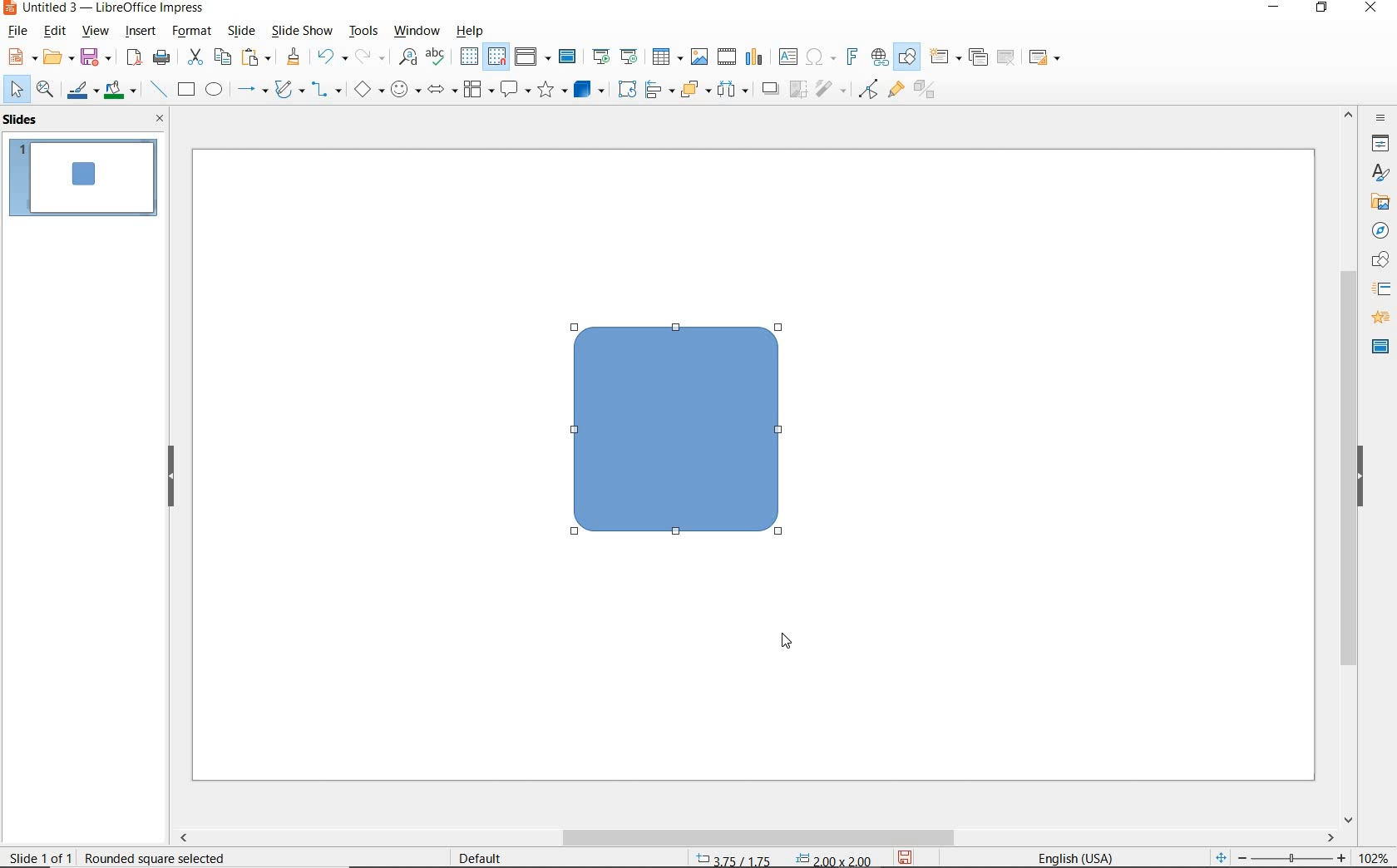 Image resolution: width=1397 pixels, height=868 pixels. Describe the element at coordinates (471, 31) in the screenshot. I see `help` at that location.